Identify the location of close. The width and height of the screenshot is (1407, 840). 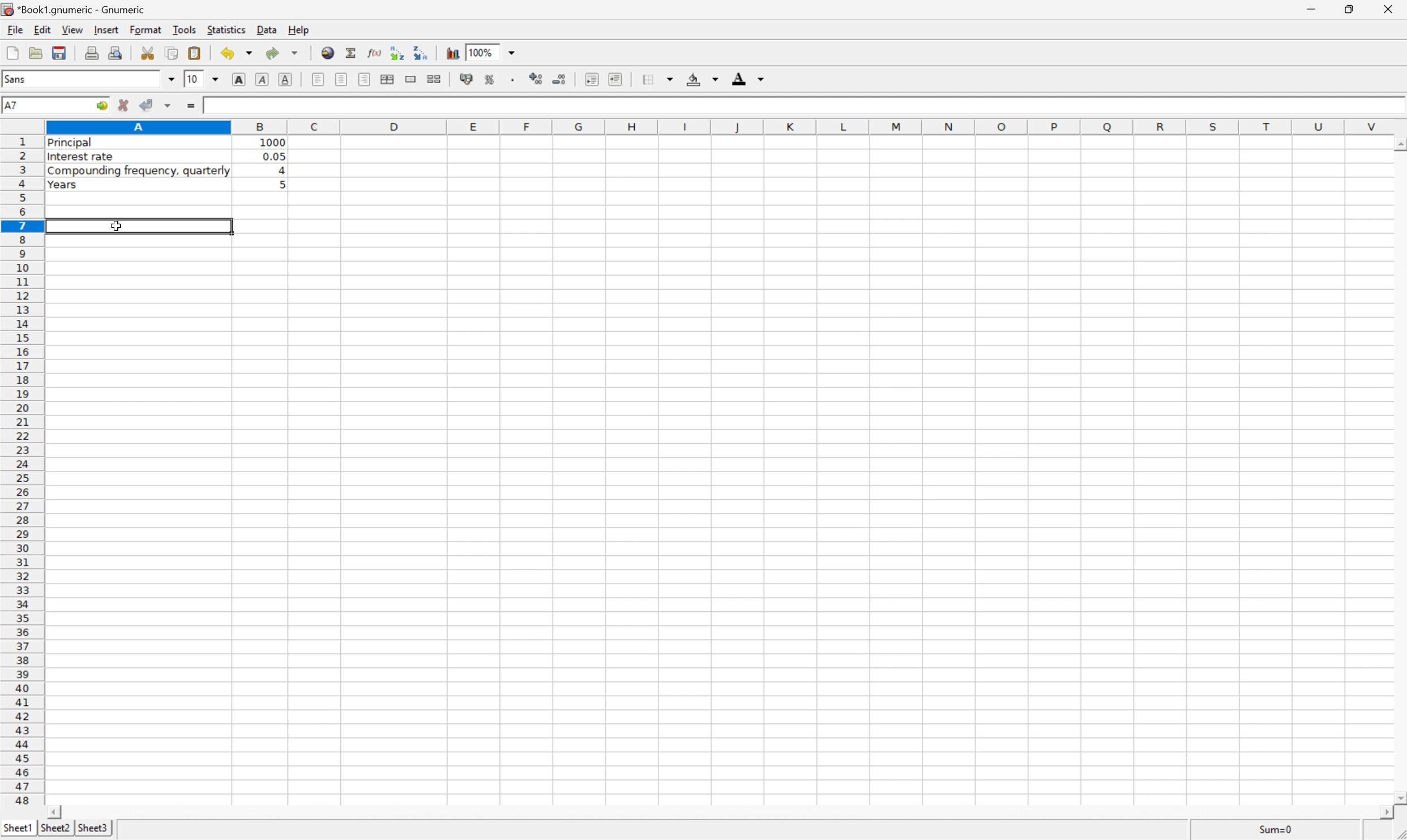
(1392, 9).